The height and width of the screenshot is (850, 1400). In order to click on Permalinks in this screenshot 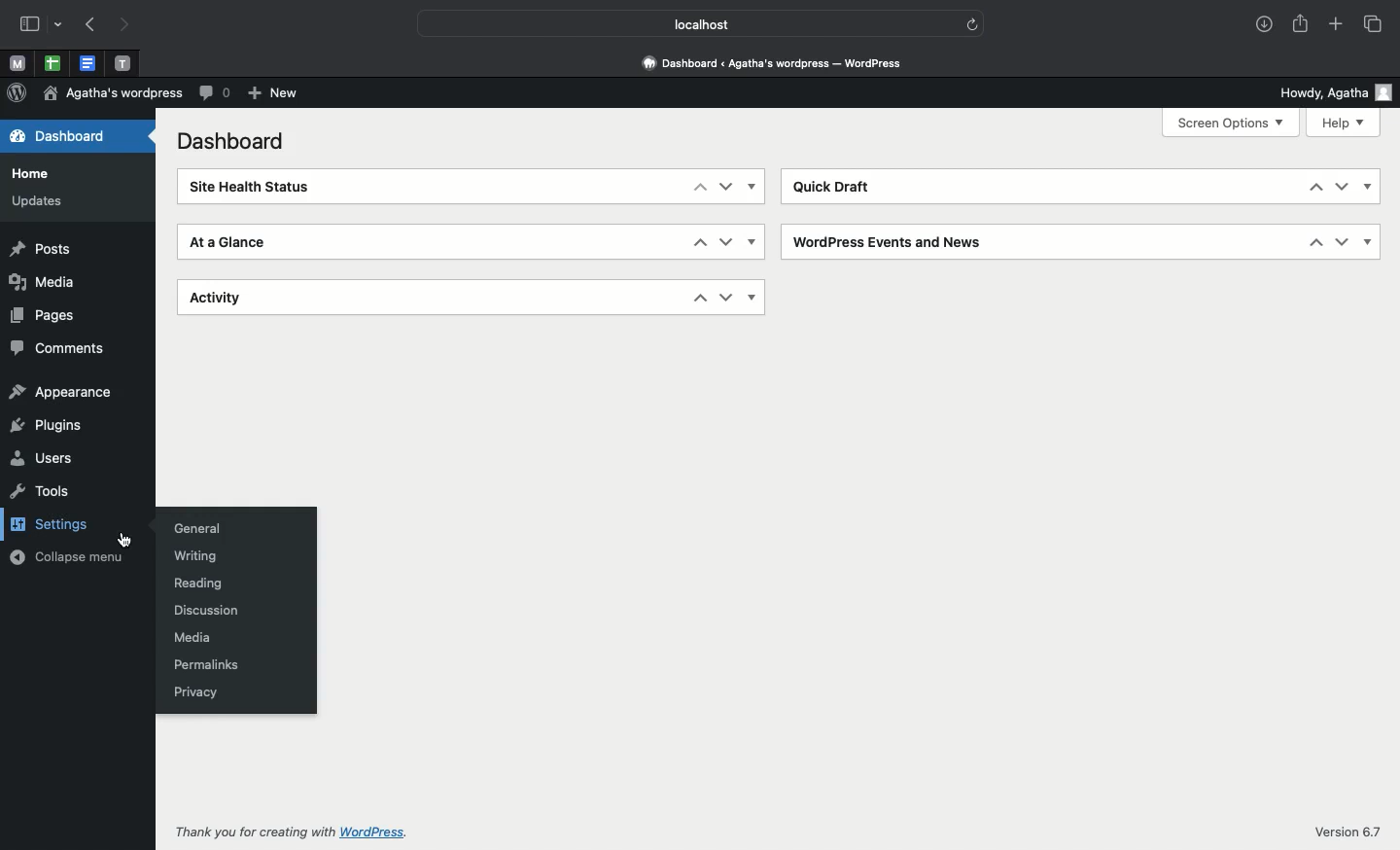, I will do `click(210, 664)`.